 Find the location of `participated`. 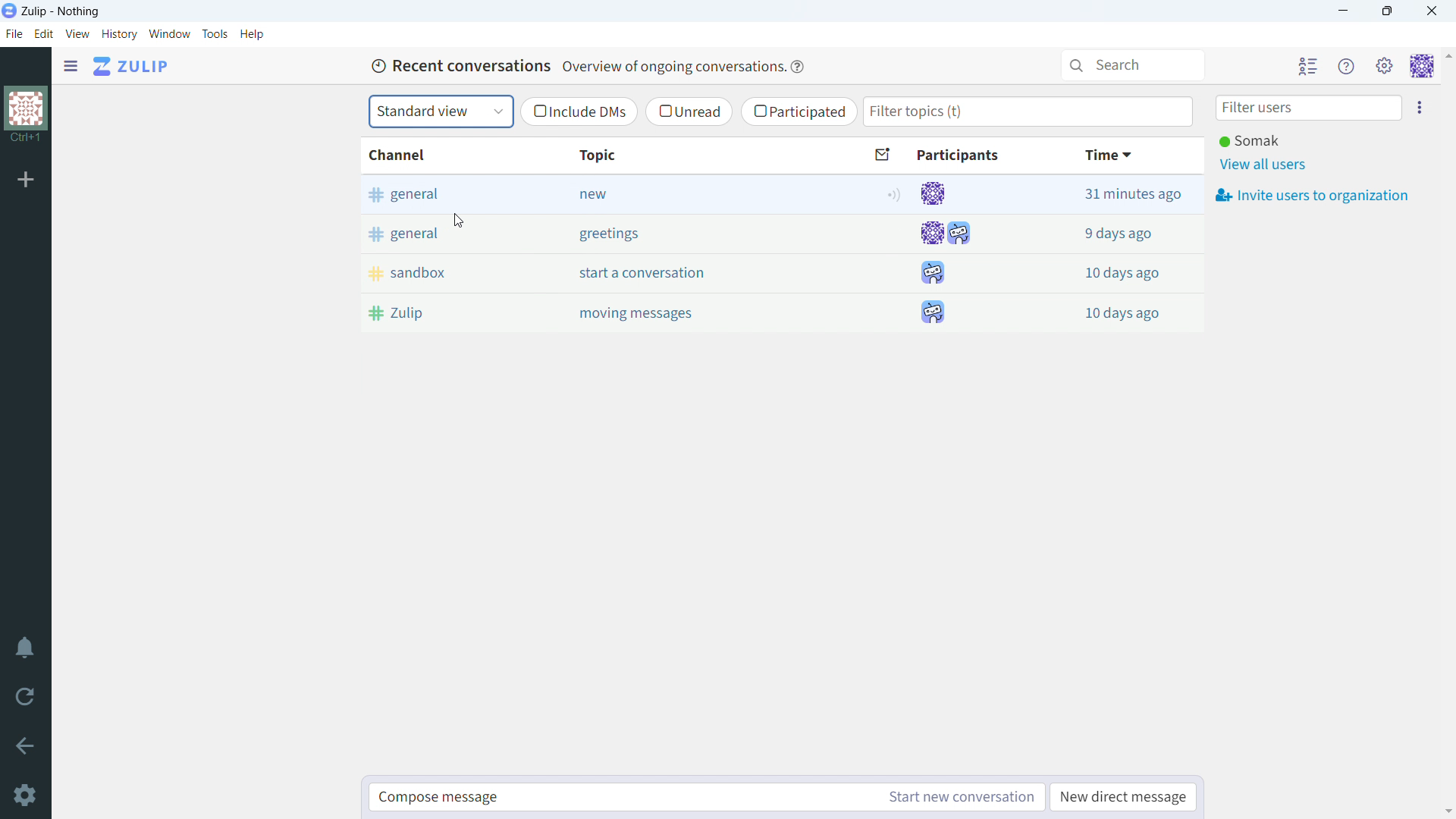

participated is located at coordinates (799, 111).